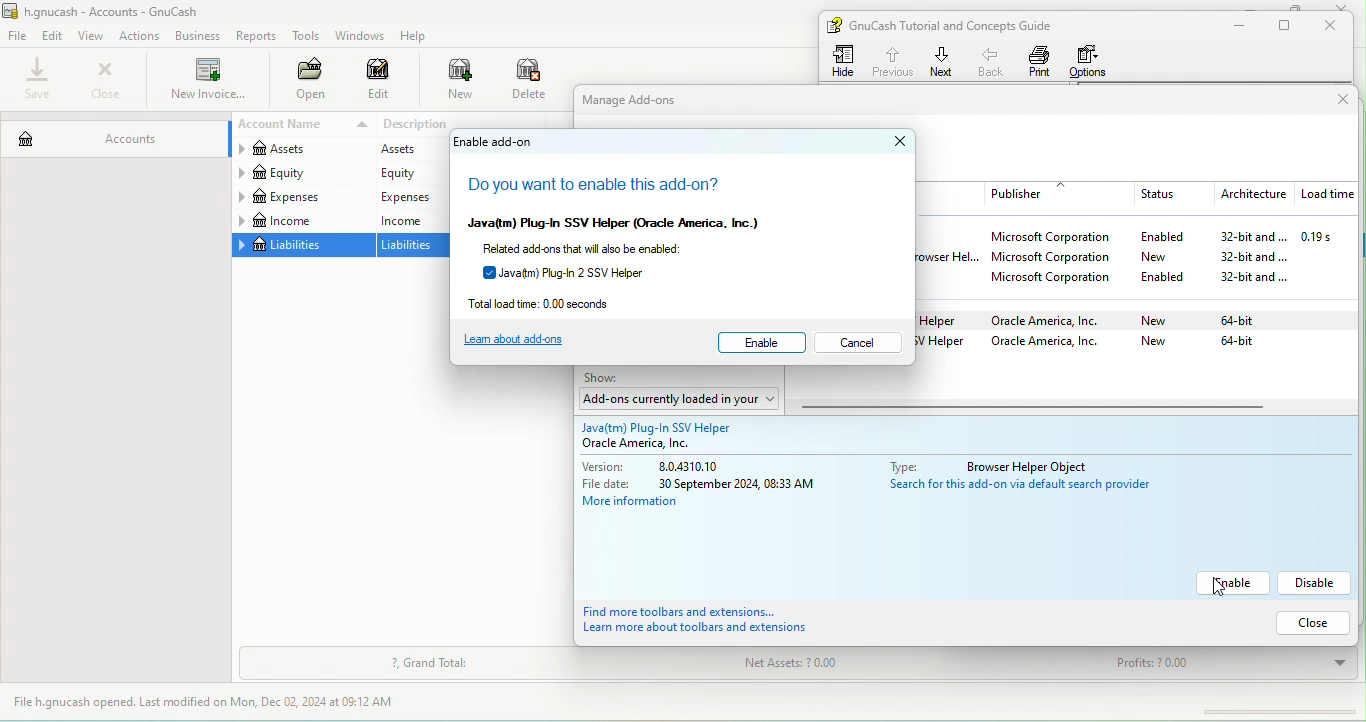 This screenshot has height=722, width=1366. What do you see at coordinates (853, 666) in the screenshot?
I see `net assets ?0.00` at bounding box center [853, 666].